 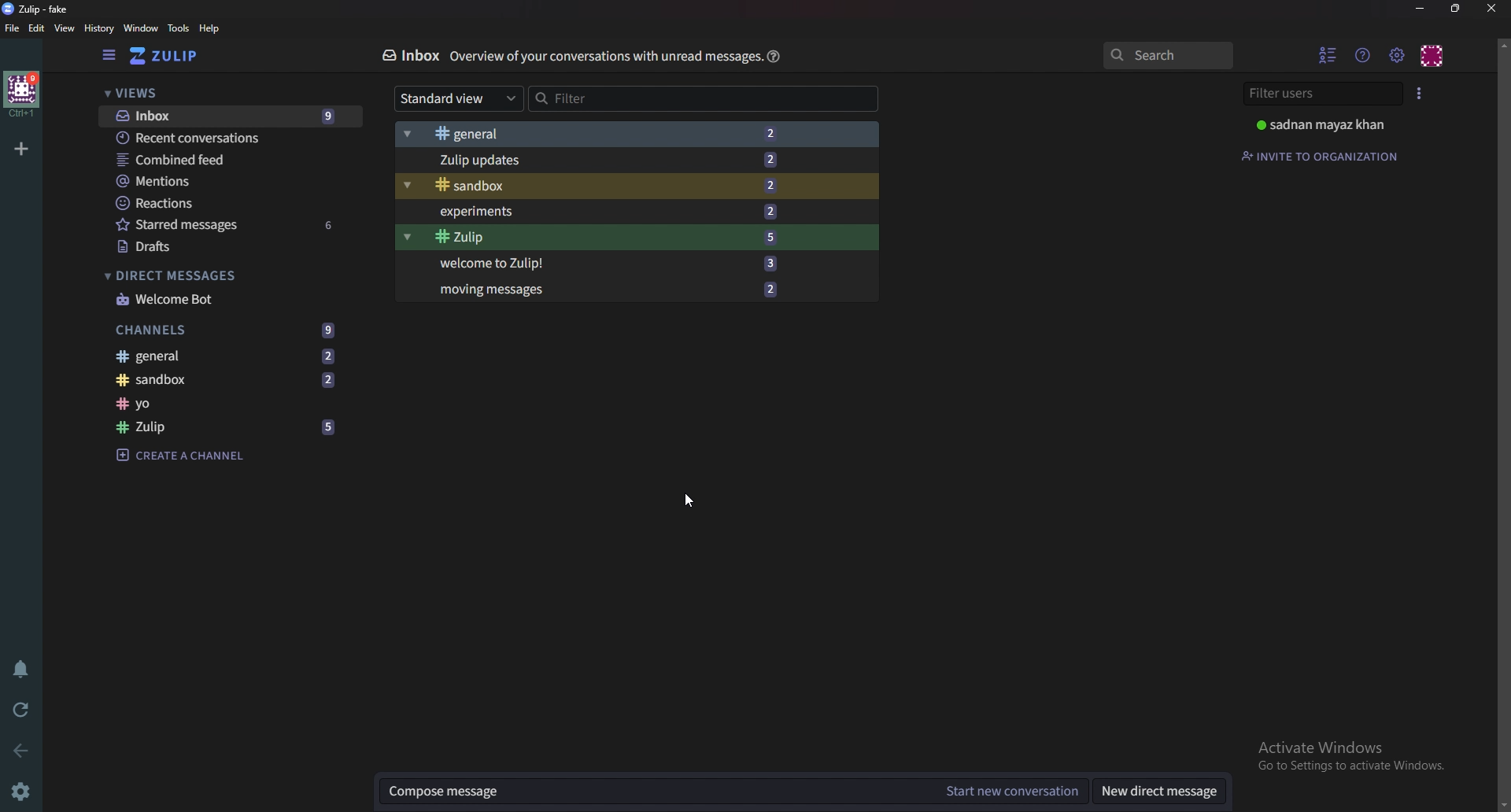 I want to click on Direct messages, so click(x=187, y=275).